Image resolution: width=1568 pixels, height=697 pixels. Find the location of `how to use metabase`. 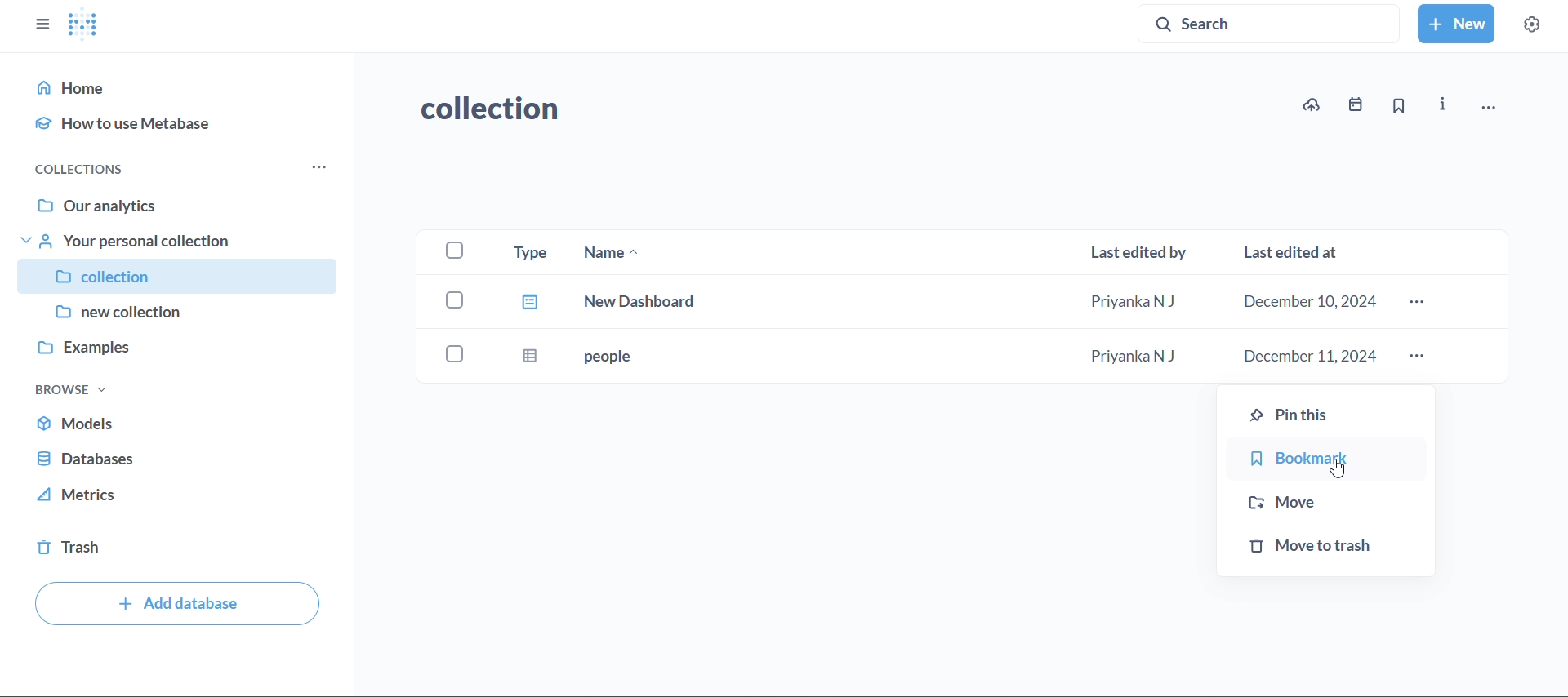

how to use metabase is located at coordinates (178, 122).